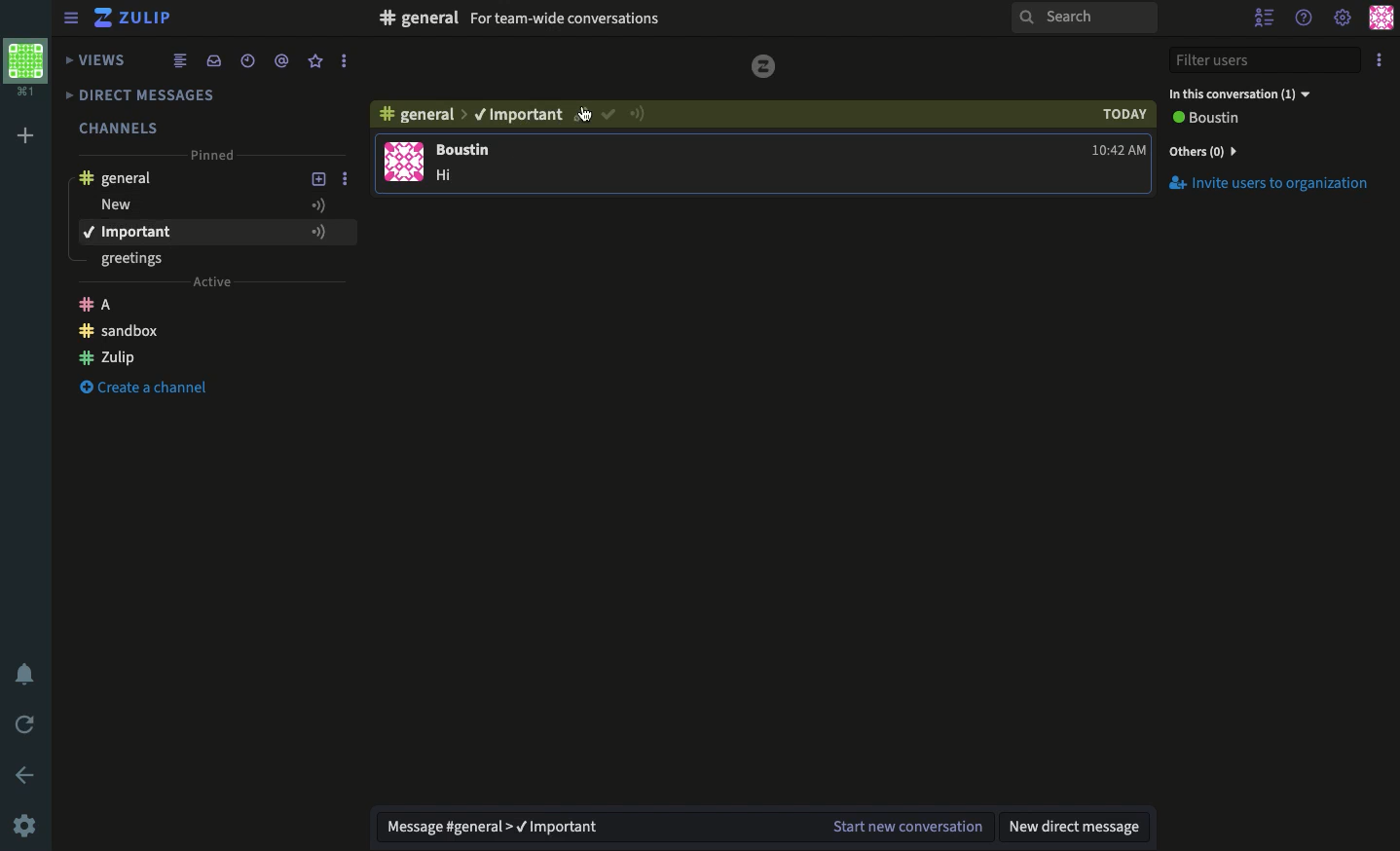  What do you see at coordinates (144, 333) in the screenshot?
I see `Create a channel` at bounding box center [144, 333].